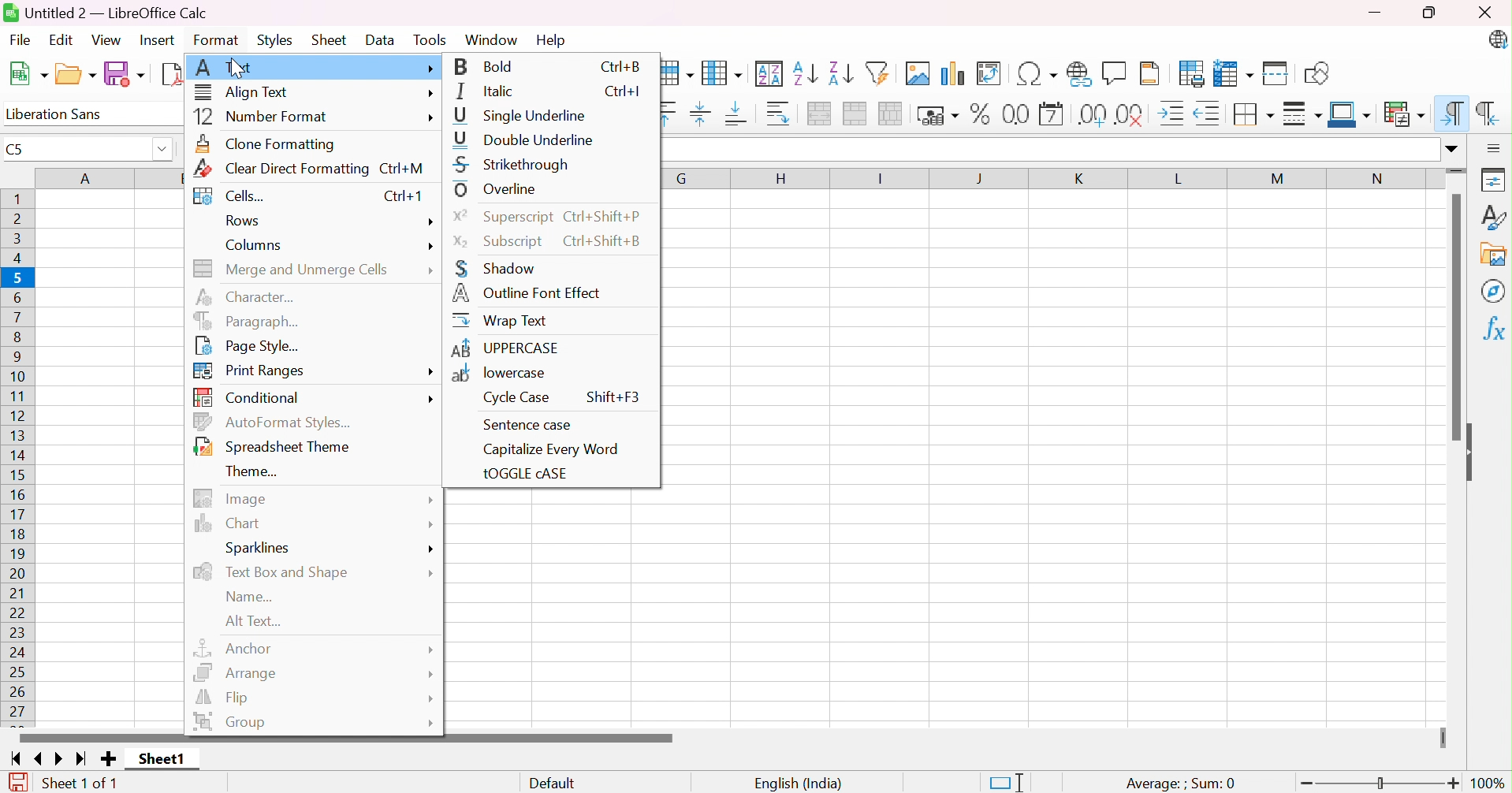 The image size is (1512, 793). Describe the element at coordinates (241, 71) in the screenshot. I see `cursor` at that location.